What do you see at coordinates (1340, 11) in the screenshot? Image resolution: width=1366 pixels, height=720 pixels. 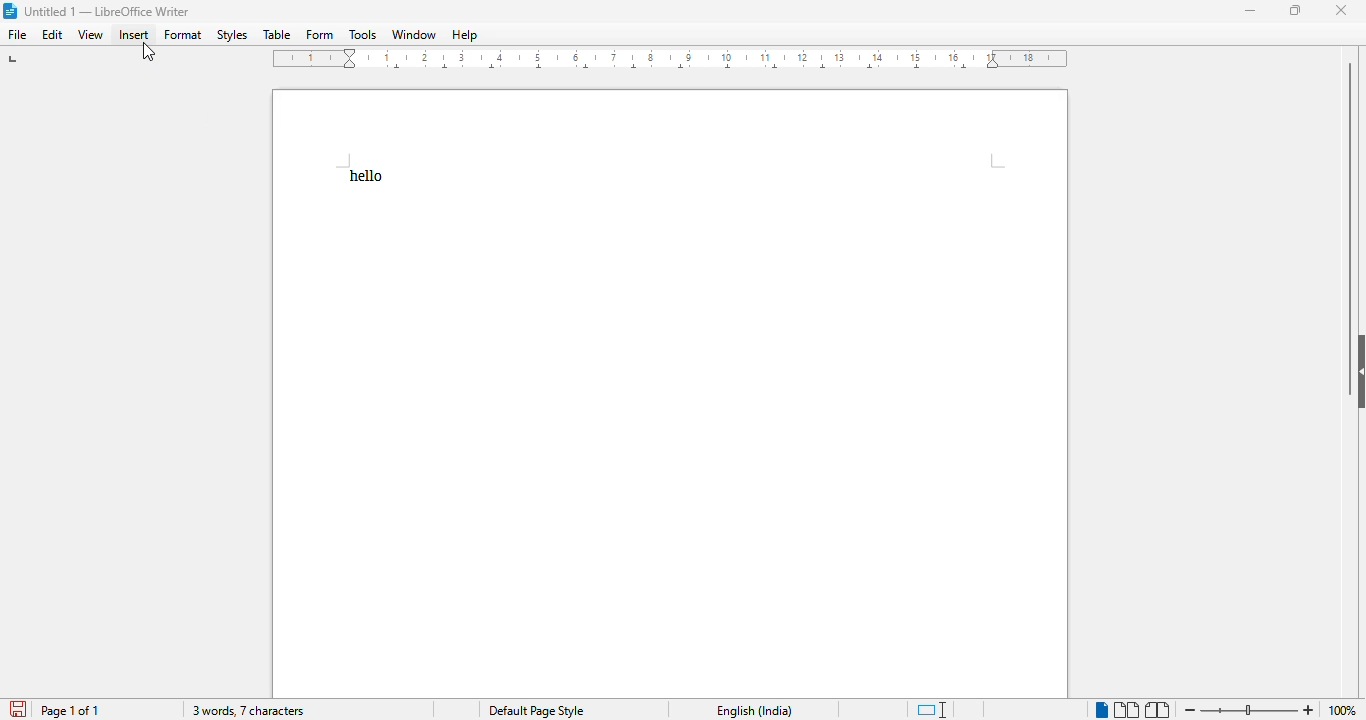 I see `close` at bounding box center [1340, 11].